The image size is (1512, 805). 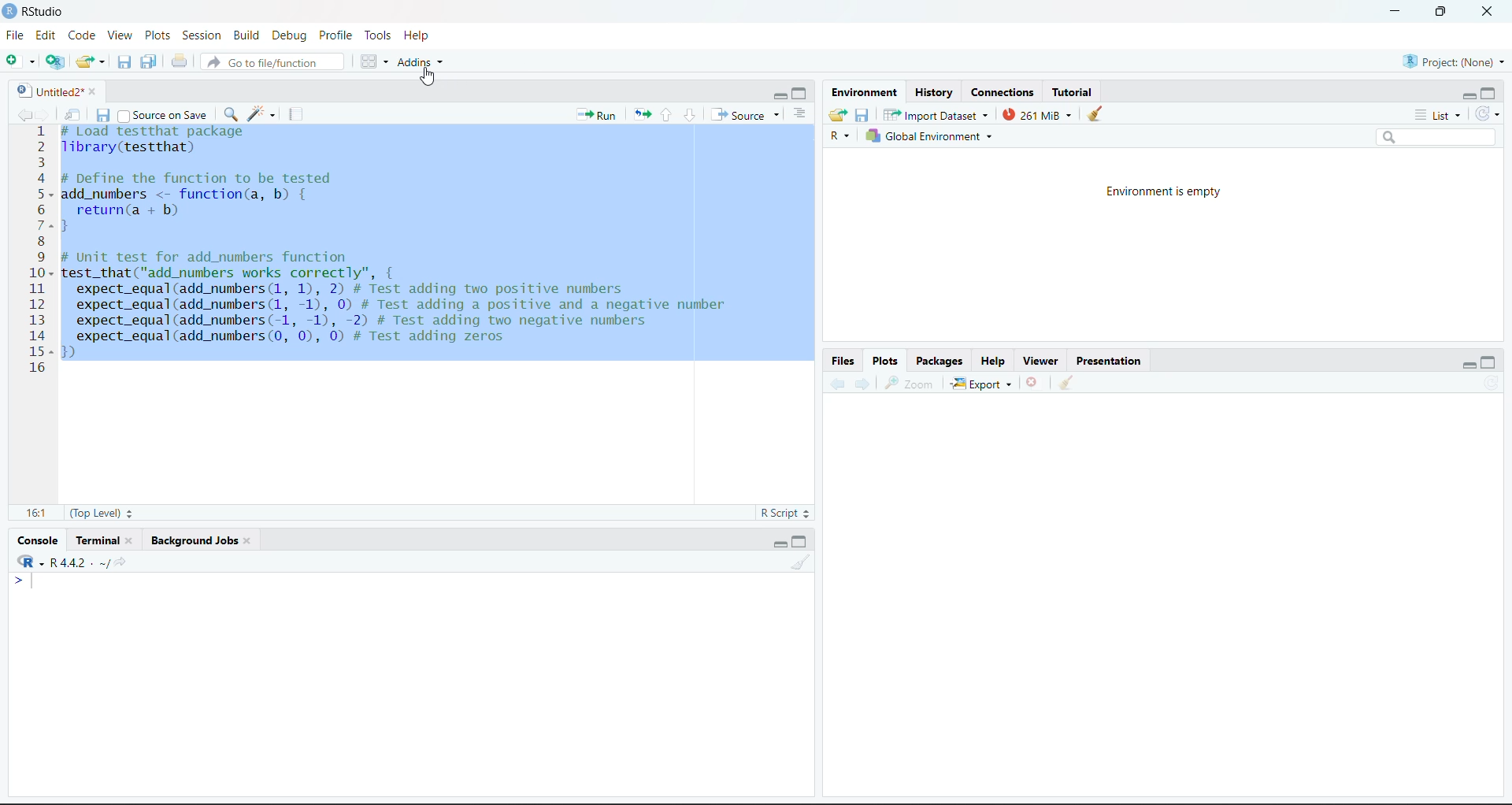 What do you see at coordinates (150, 61) in the screenshot?
I see `Save all the open documents` at bounding box center [150, 61].